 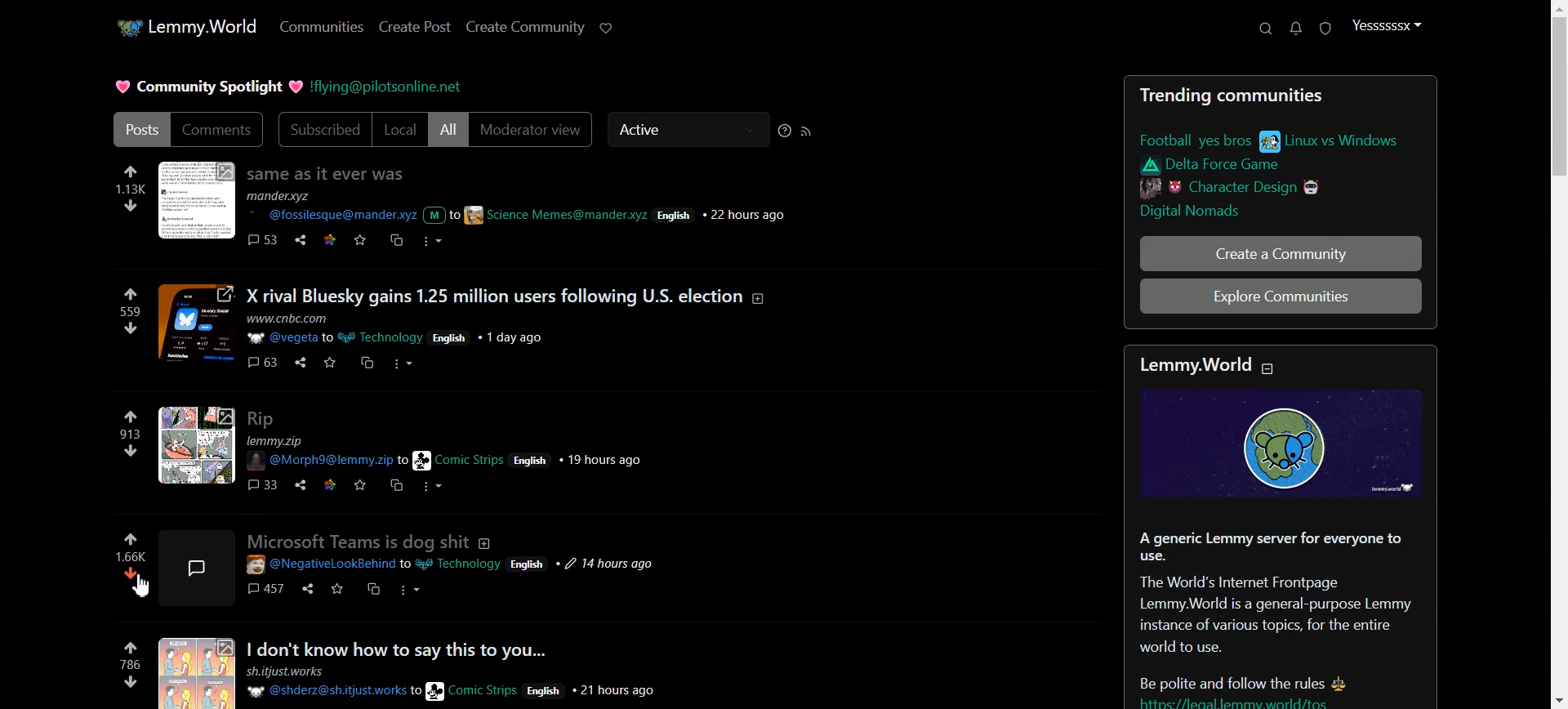 I want to click on cs, so click(x=397, y=484).